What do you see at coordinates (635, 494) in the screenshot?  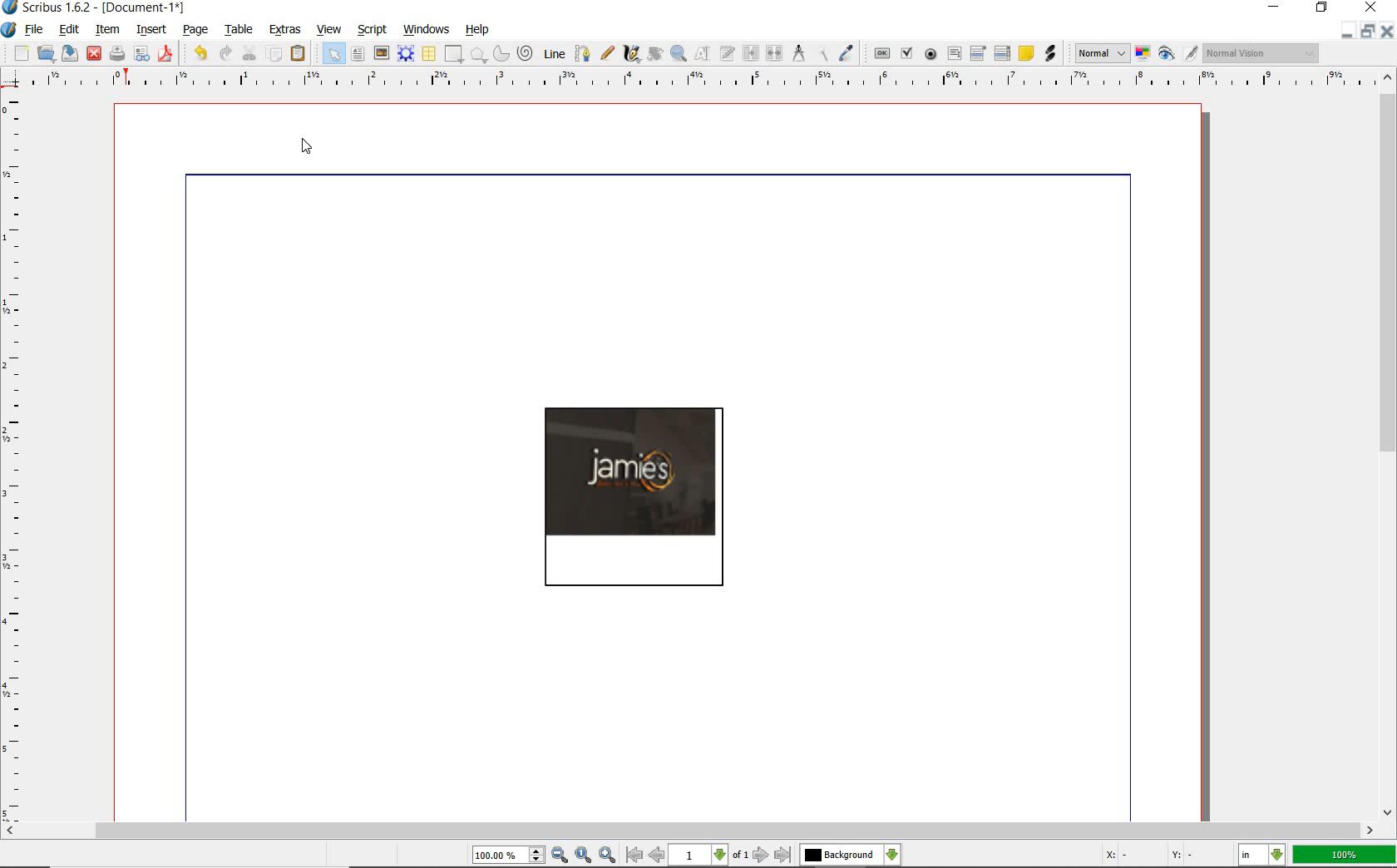 I see `Image` at bounding box center [635, 494].